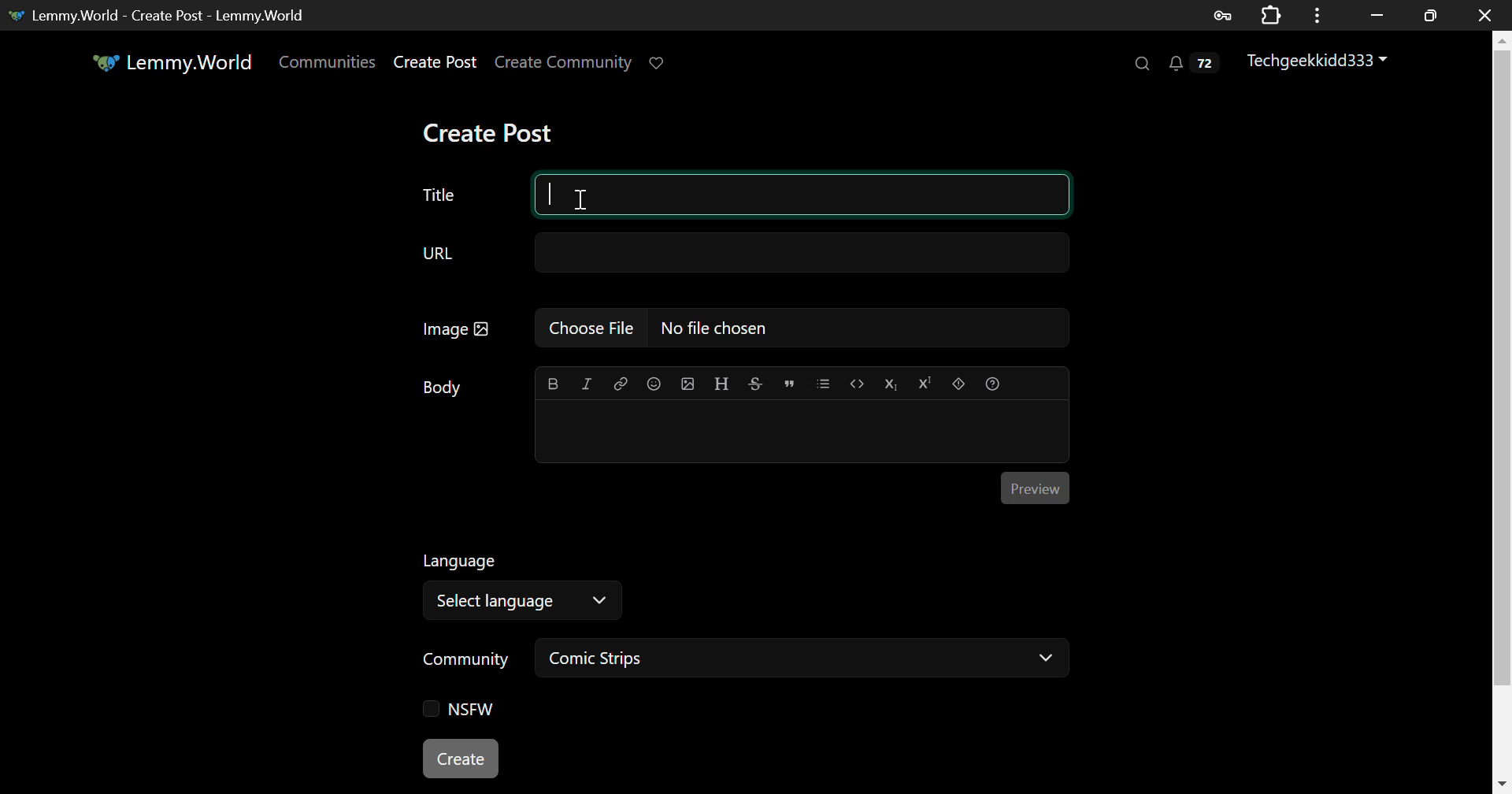  I want to click on Link, so click(621, 384).